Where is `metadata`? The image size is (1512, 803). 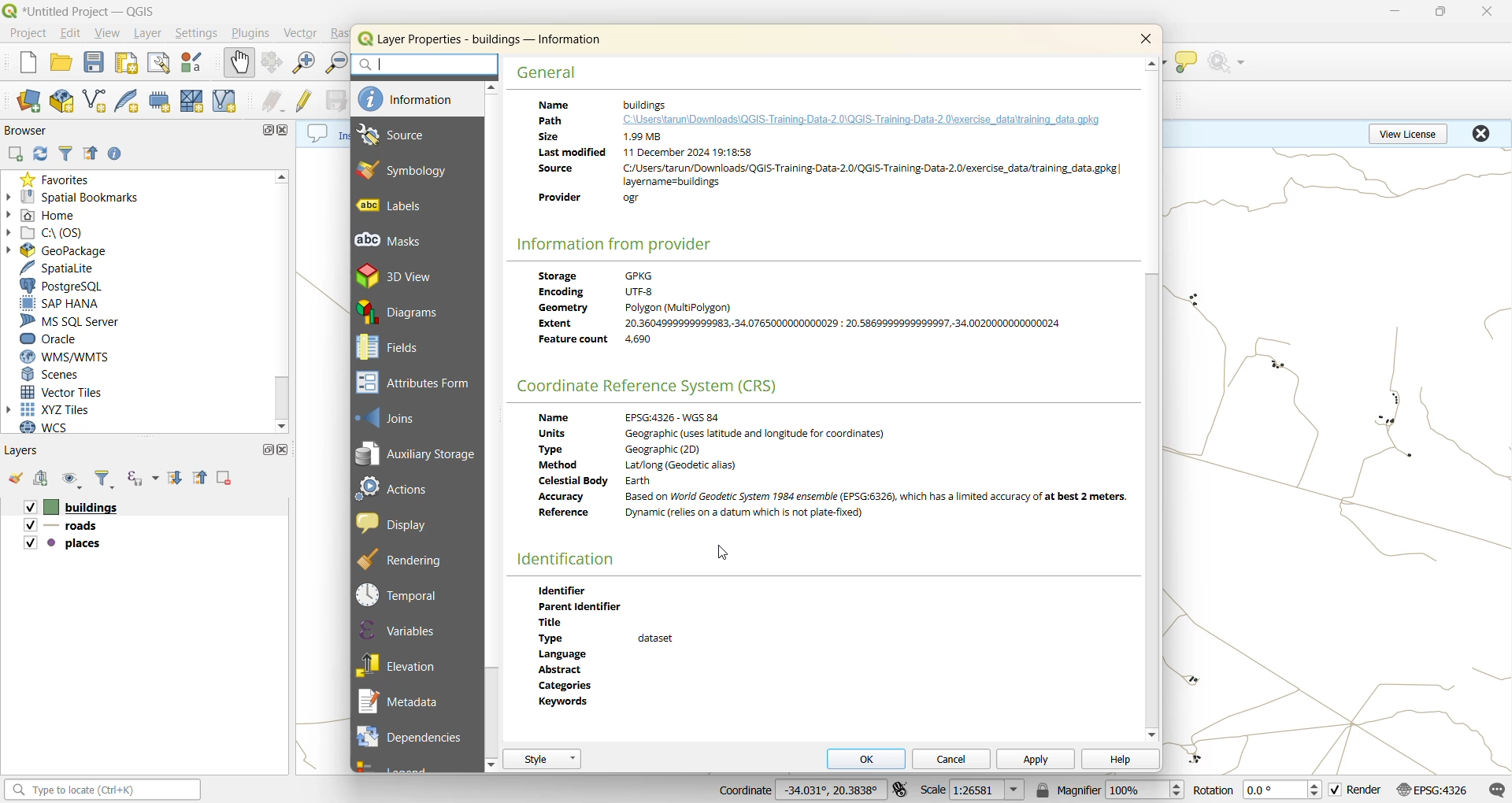 metadata is located at coordinates (830, 475).